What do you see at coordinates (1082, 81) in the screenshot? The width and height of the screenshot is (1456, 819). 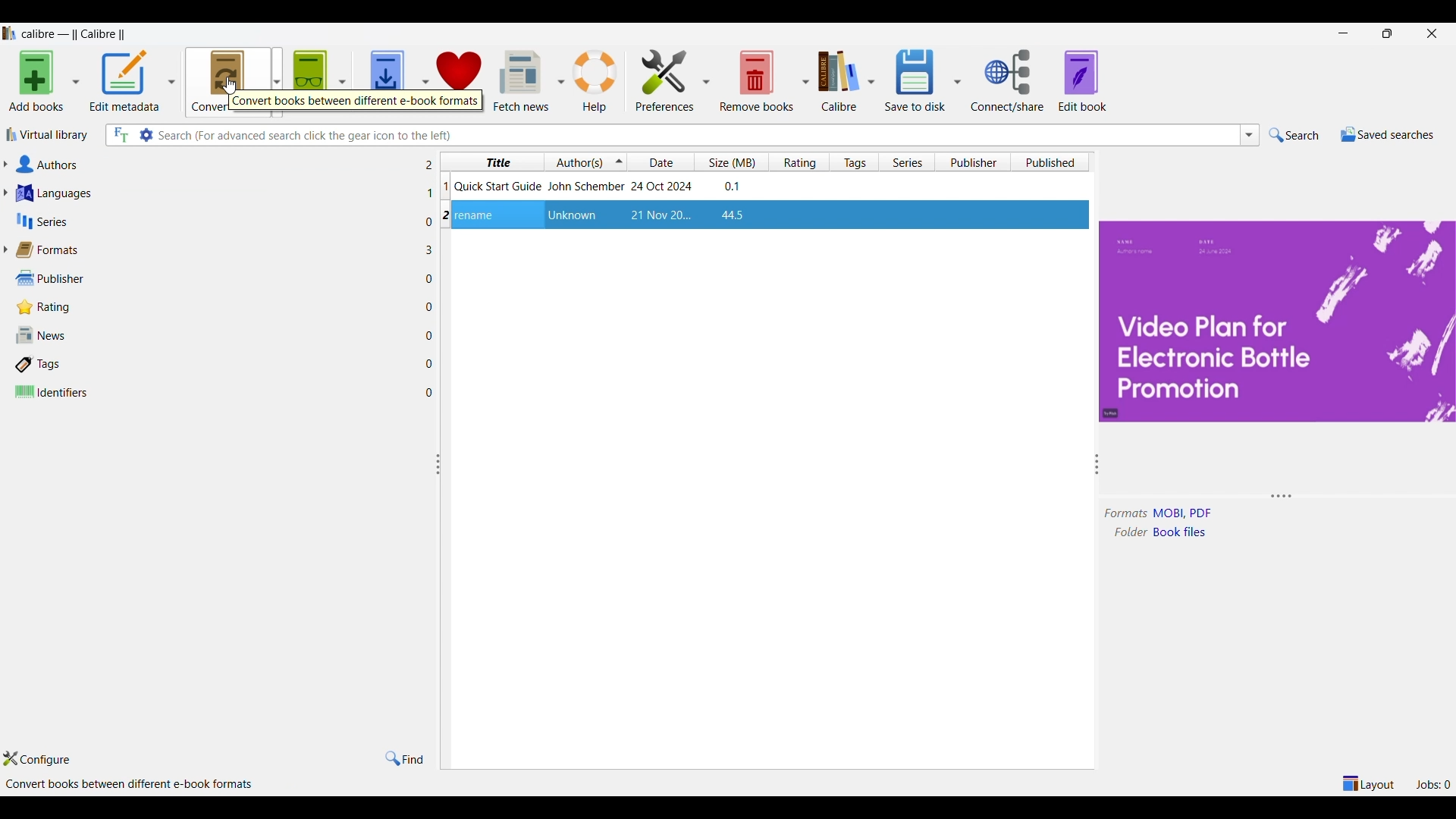 I see `Edit book` at bounding box center [1082, 81].